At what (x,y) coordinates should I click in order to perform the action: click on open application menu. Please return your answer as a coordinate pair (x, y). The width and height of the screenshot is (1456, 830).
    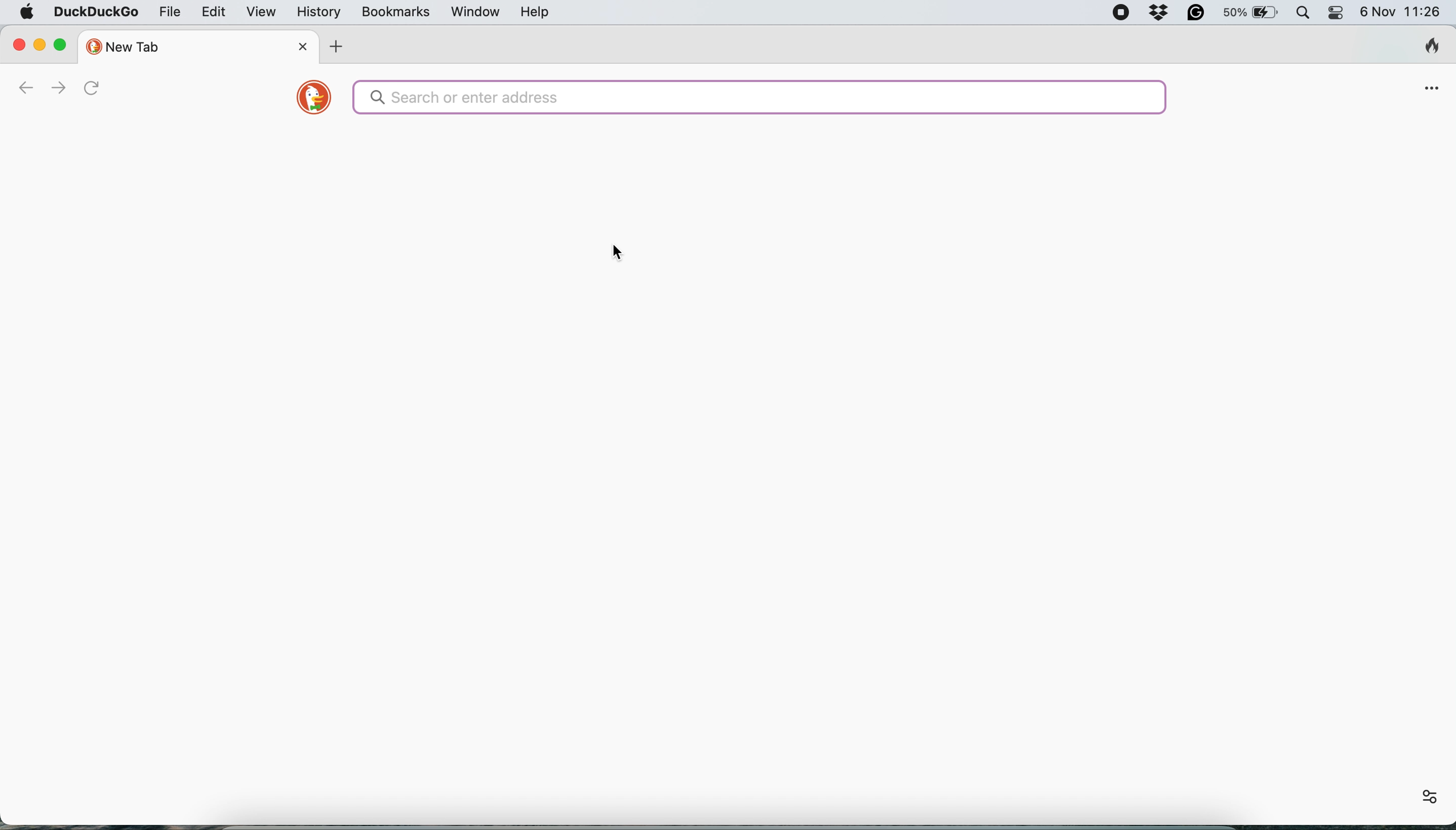
    Looking at the image, I should click on (1431, 88).